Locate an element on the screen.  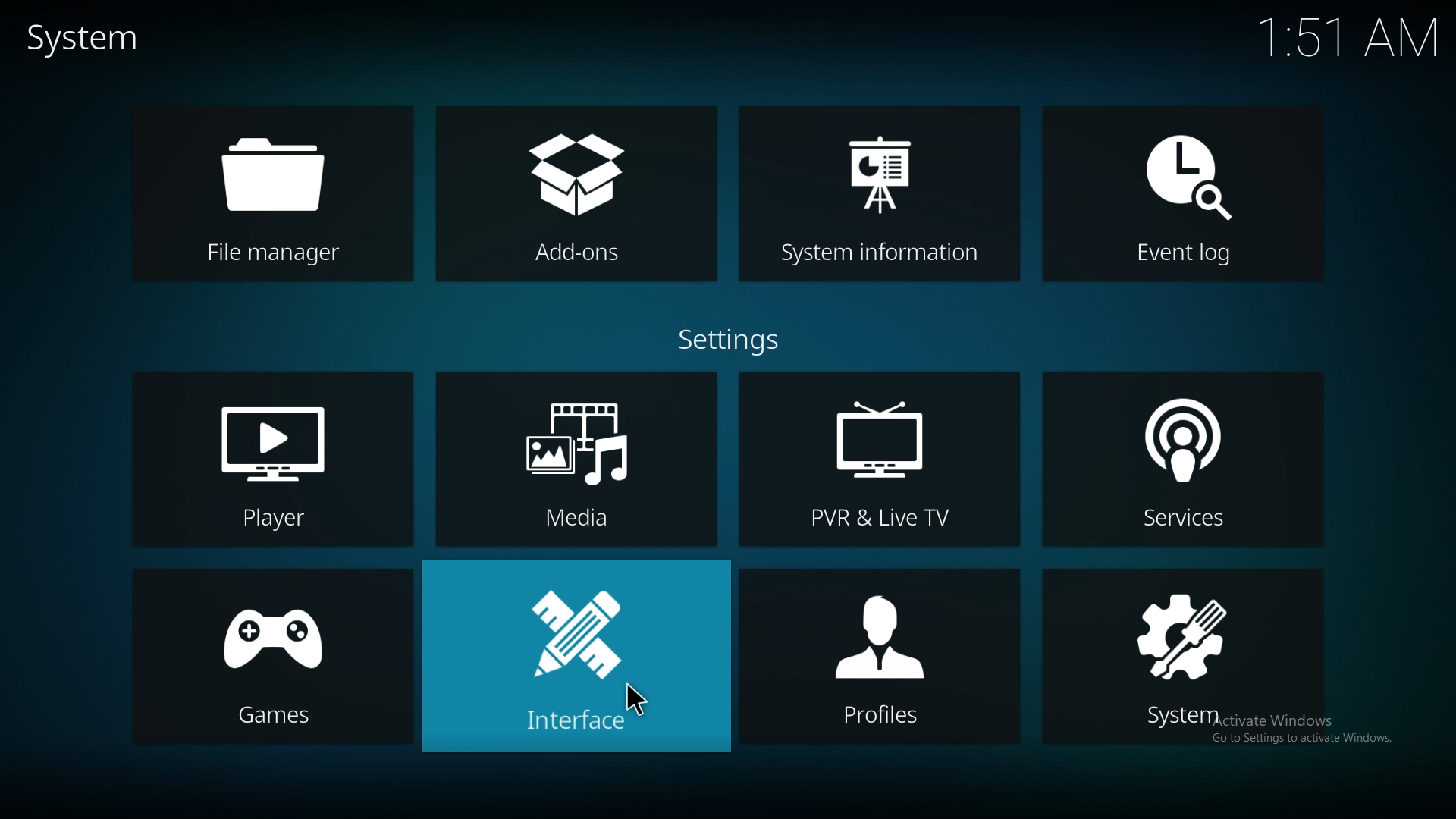
interface is located at coordinates (576, 655).